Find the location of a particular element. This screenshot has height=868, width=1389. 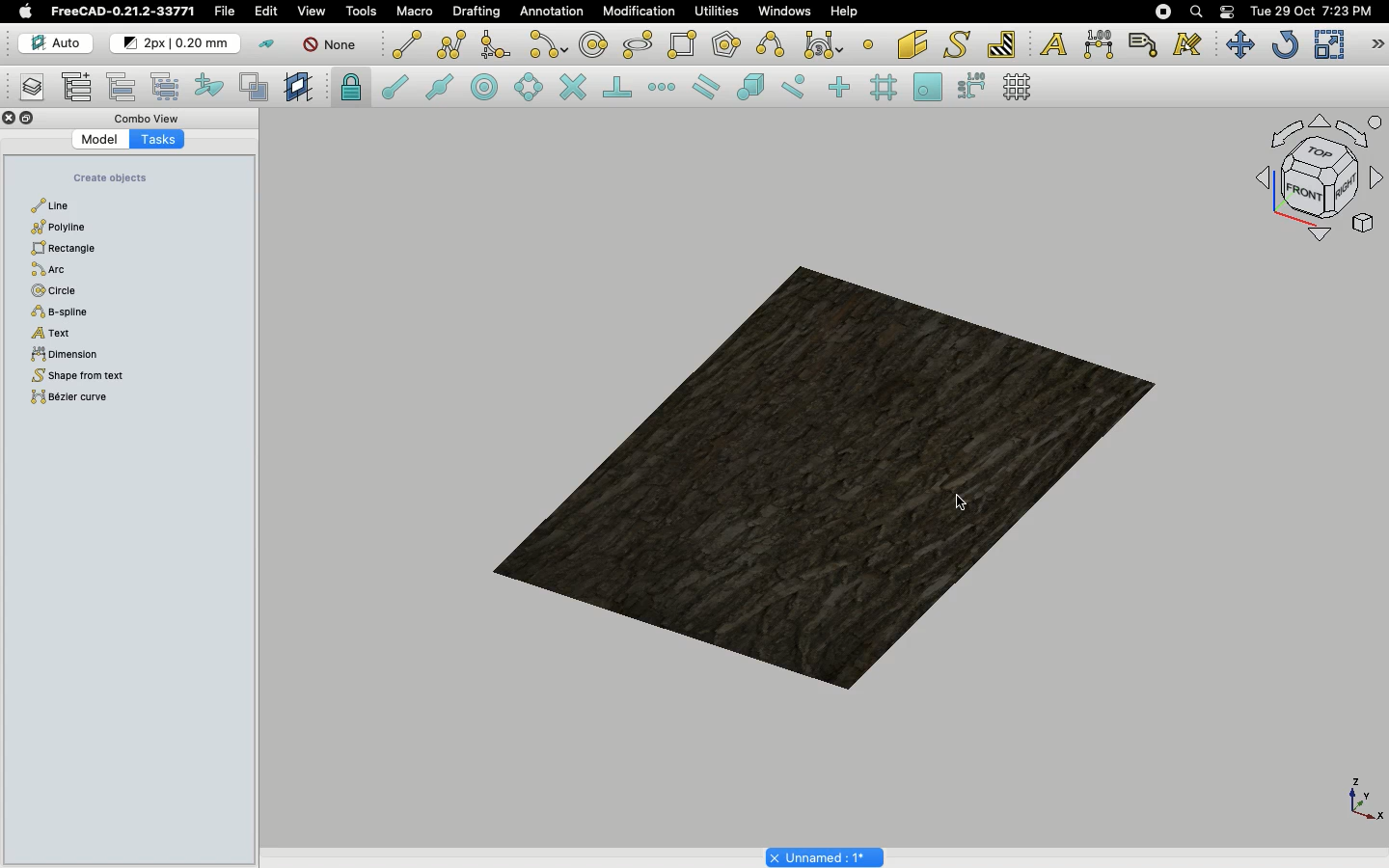

Utilities is located at coordinates (713, 12).